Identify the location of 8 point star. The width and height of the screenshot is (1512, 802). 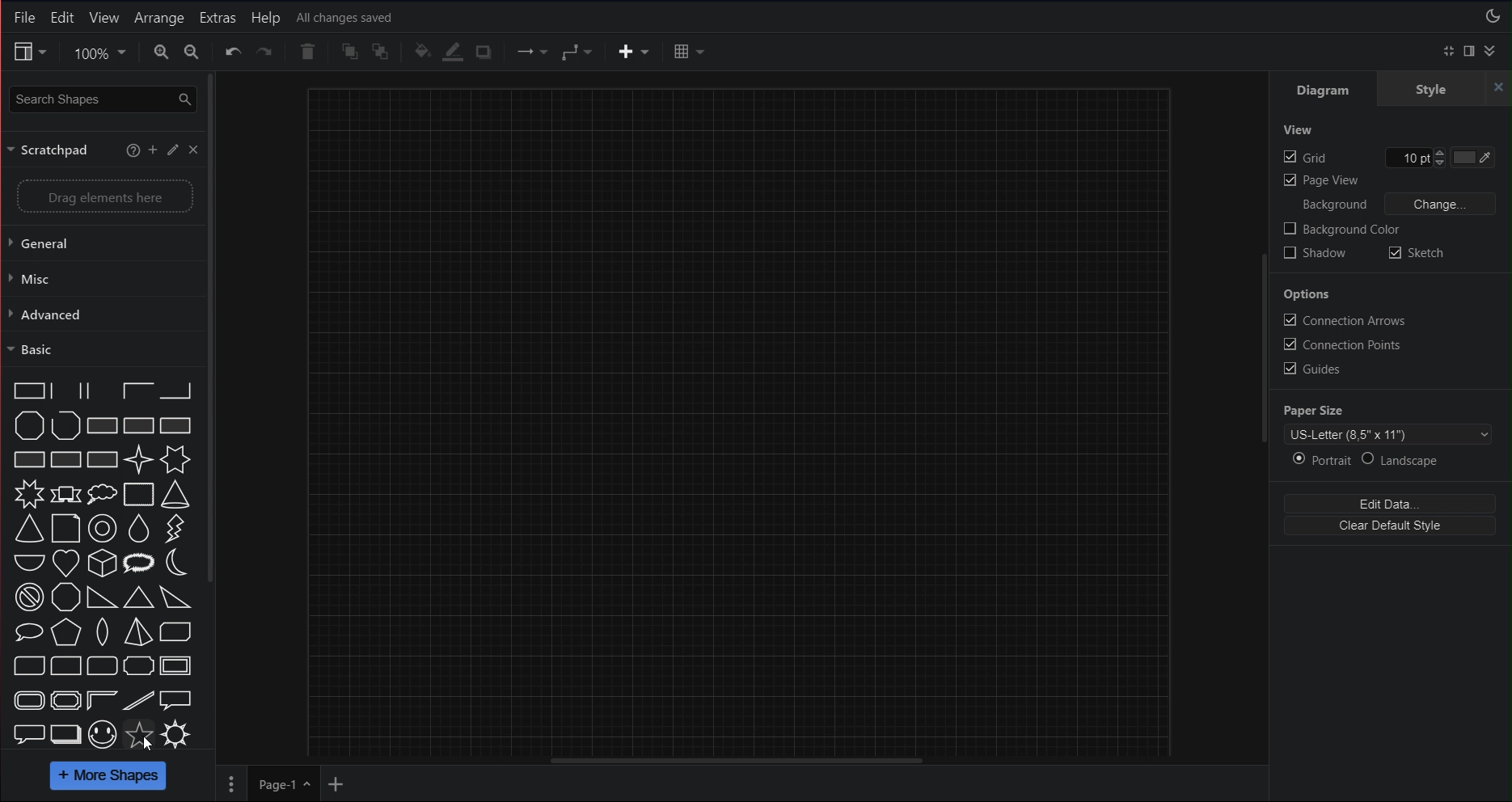
(28, 494).